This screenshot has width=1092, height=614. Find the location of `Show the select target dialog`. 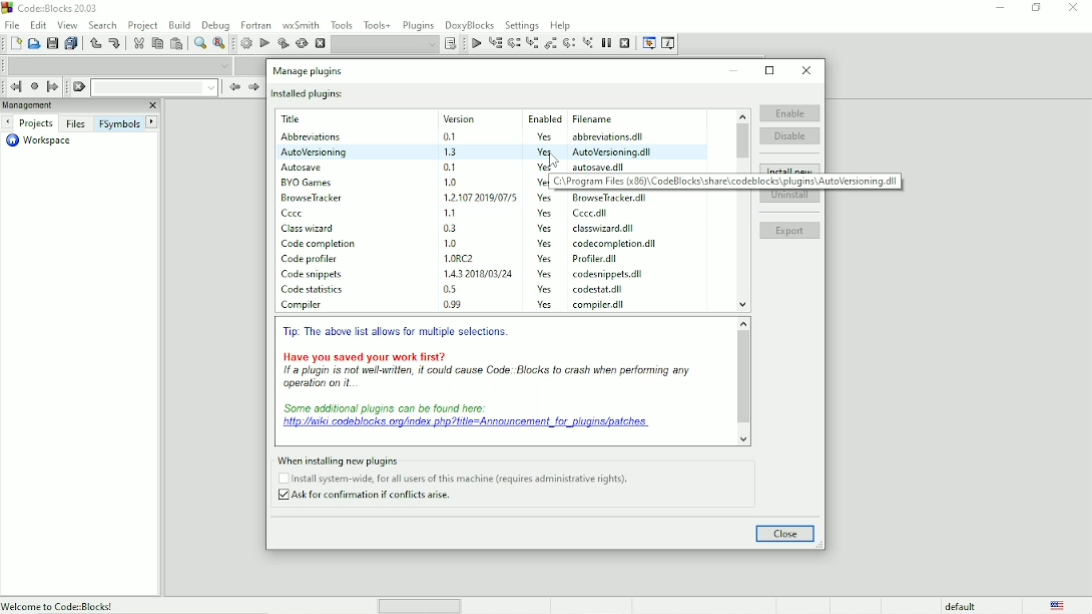

Show the select target dialog is located at coordinates (452, 44).